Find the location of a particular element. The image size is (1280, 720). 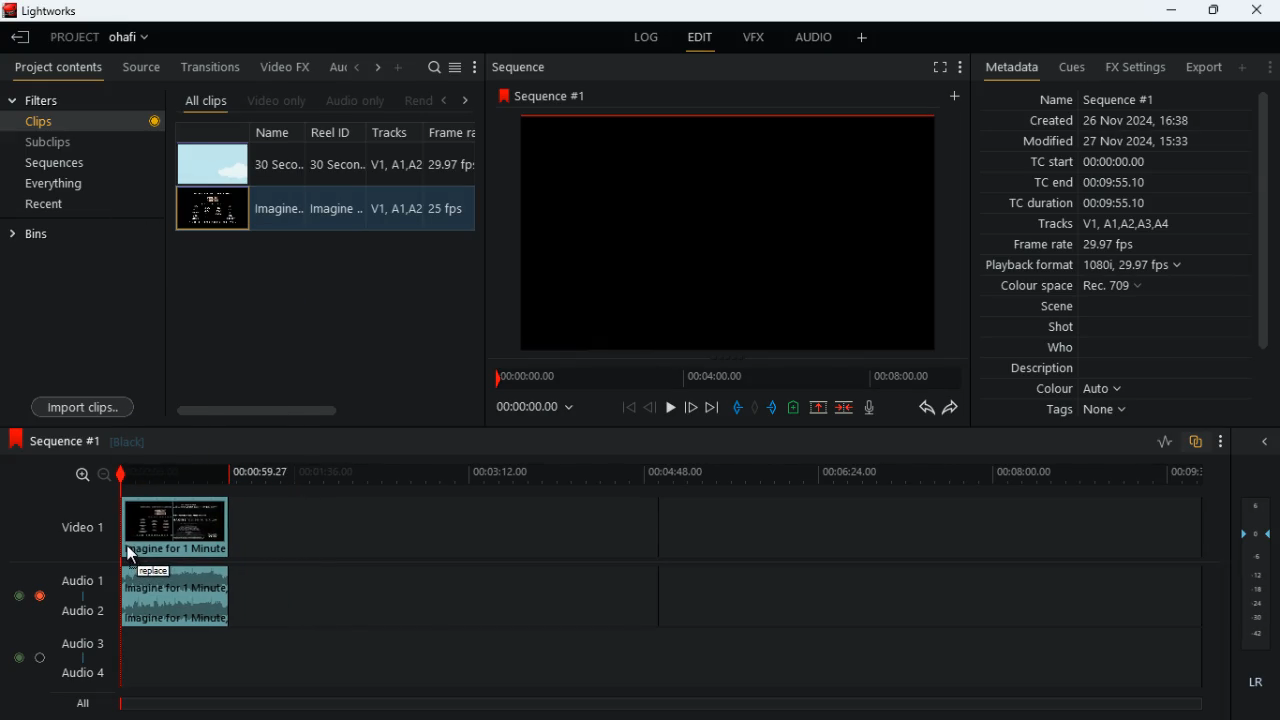

close is located at coordinates (1268, 442).